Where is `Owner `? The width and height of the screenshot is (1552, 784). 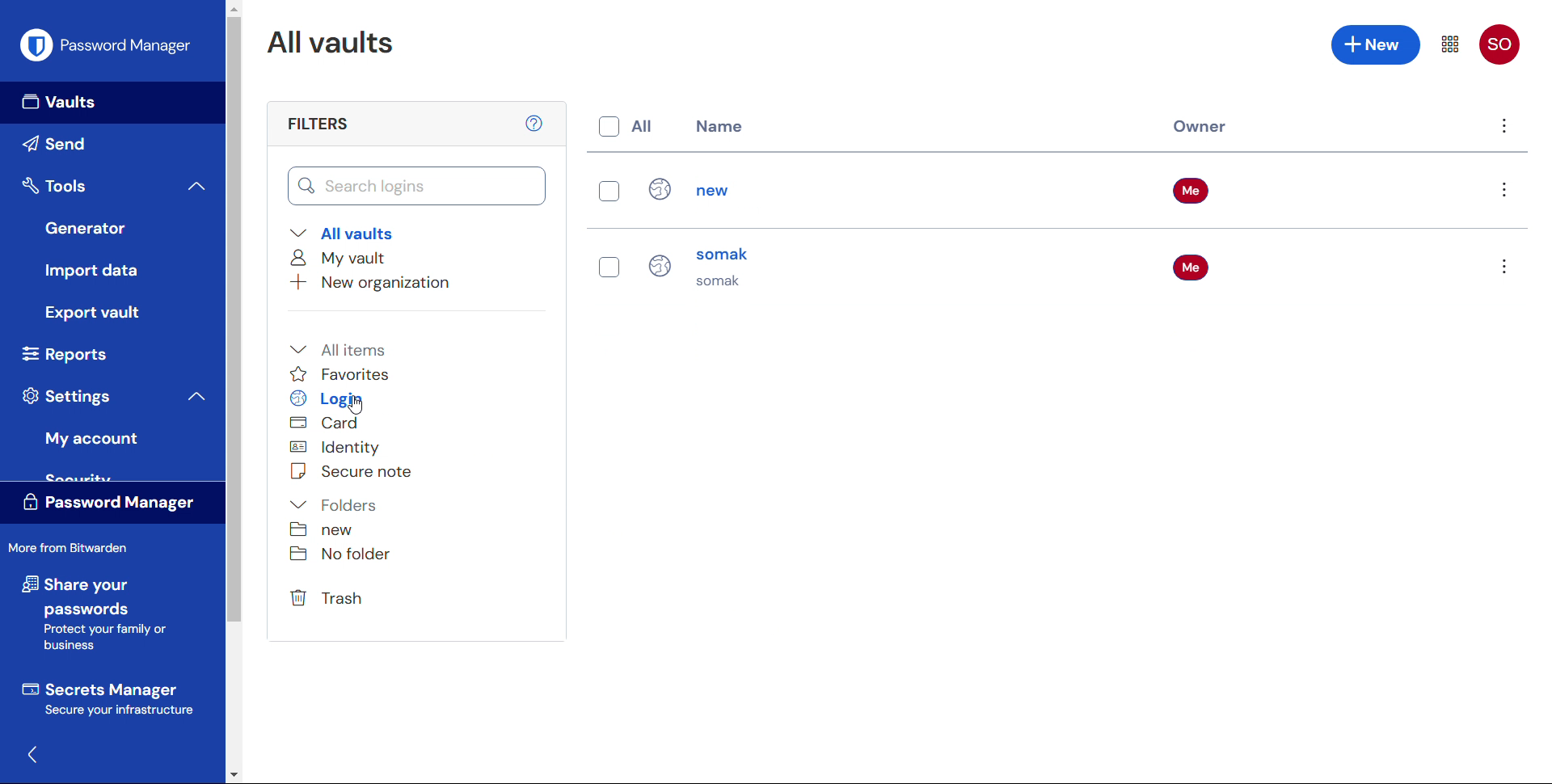
Owner  is located at coordinates (1200, 128).